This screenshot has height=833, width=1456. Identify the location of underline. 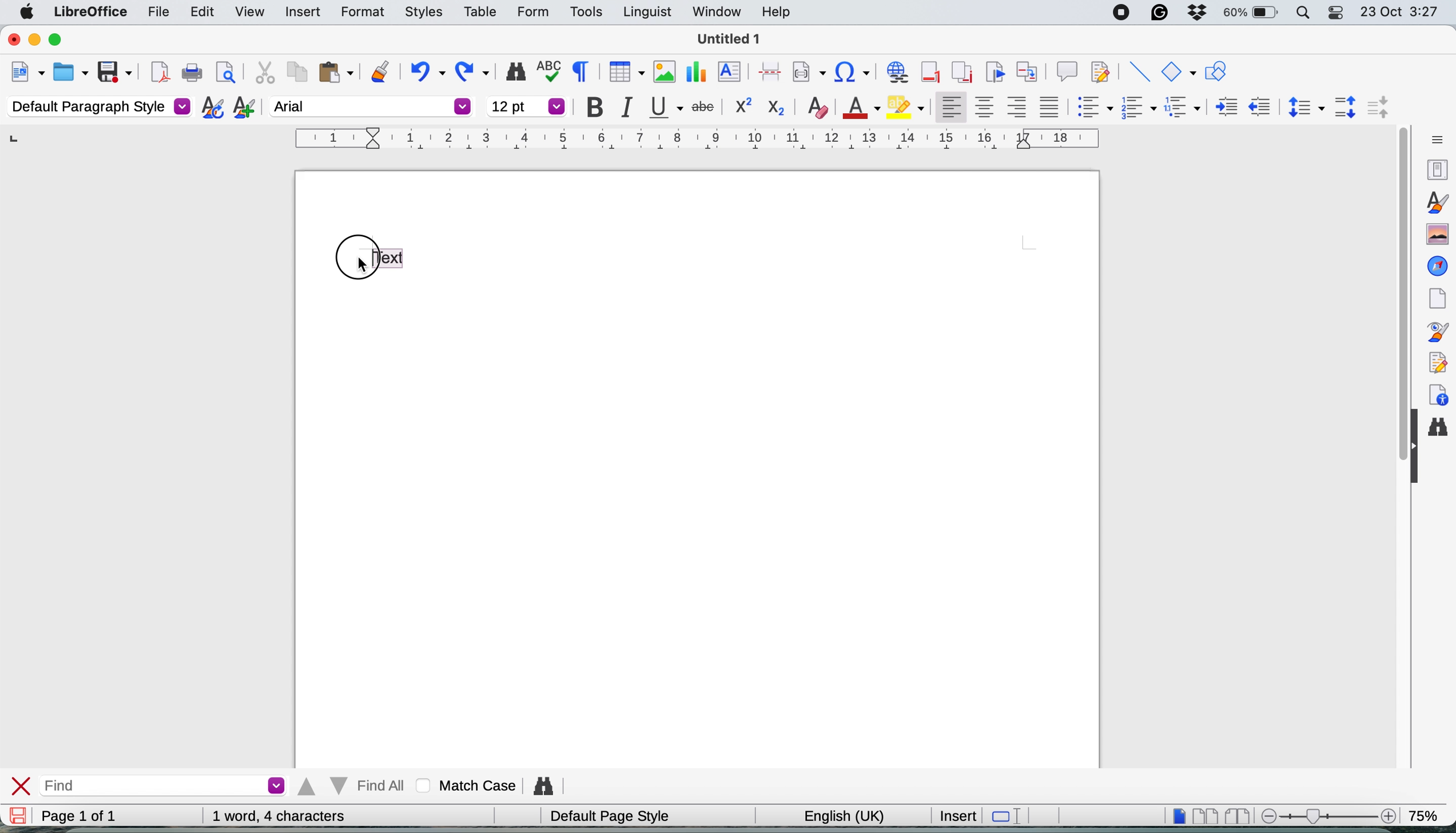
(664, 109).